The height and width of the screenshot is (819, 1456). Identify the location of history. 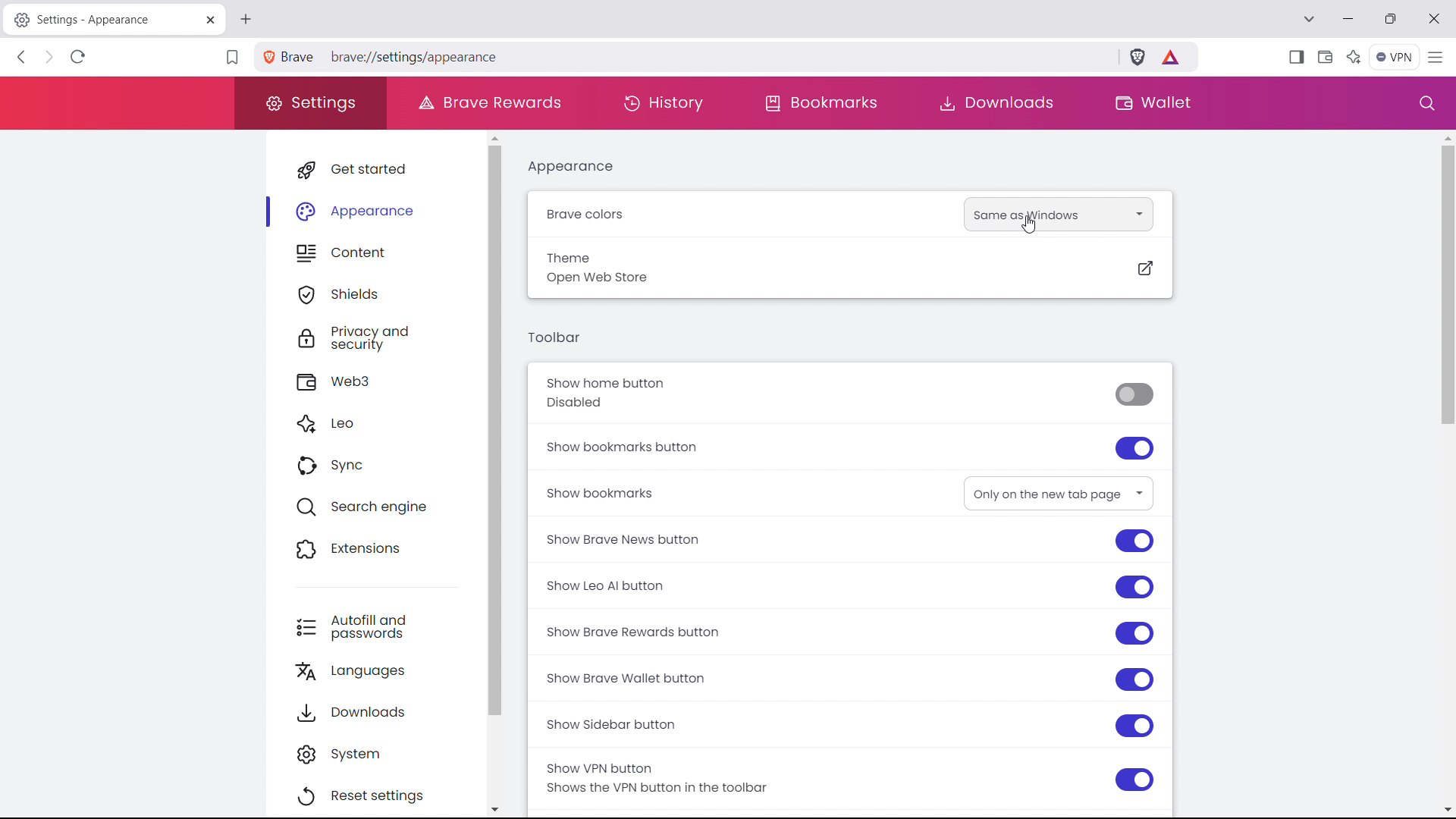
(666, 104).